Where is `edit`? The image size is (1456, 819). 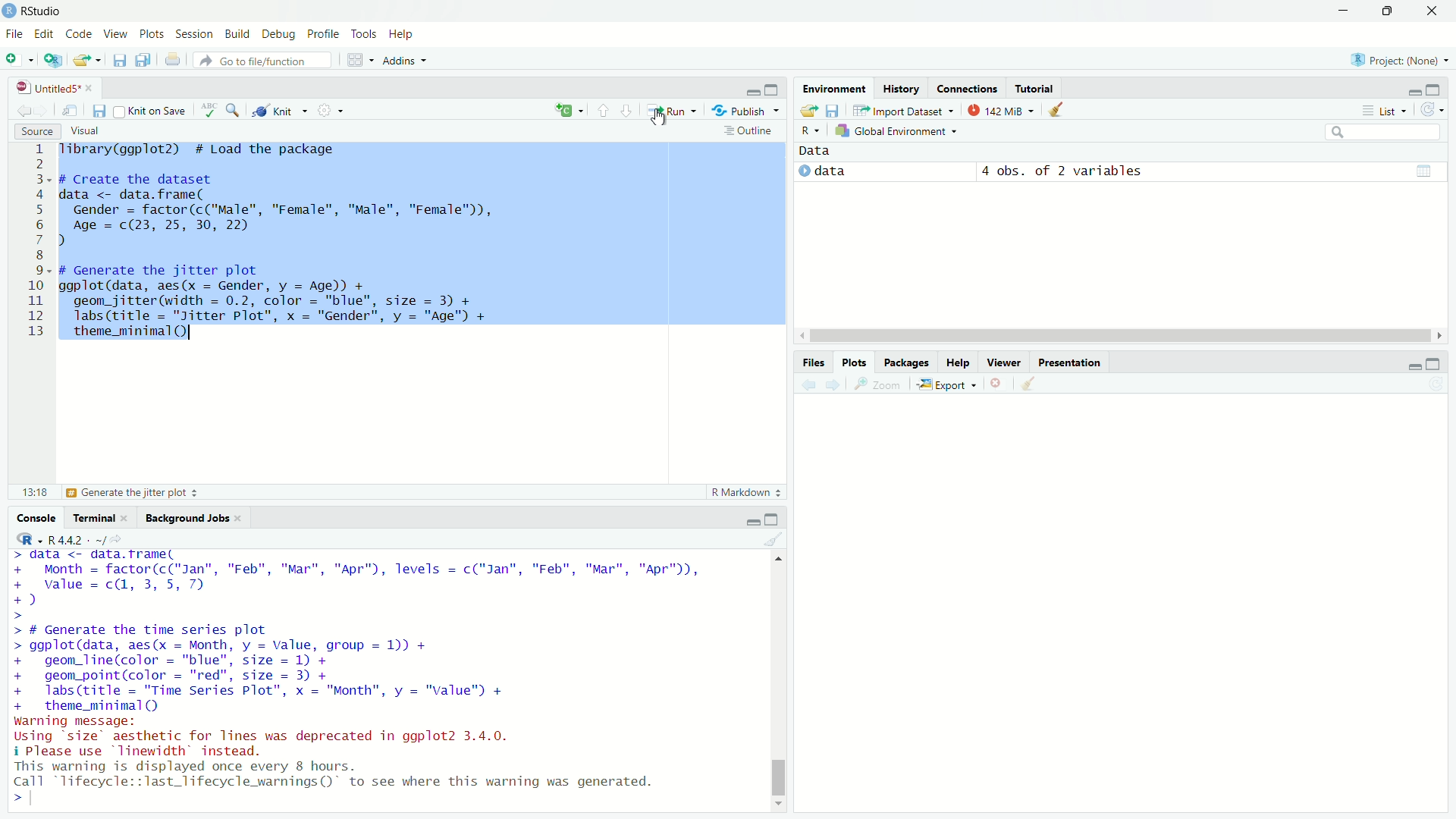
edit is located at coordinates (45, 35).